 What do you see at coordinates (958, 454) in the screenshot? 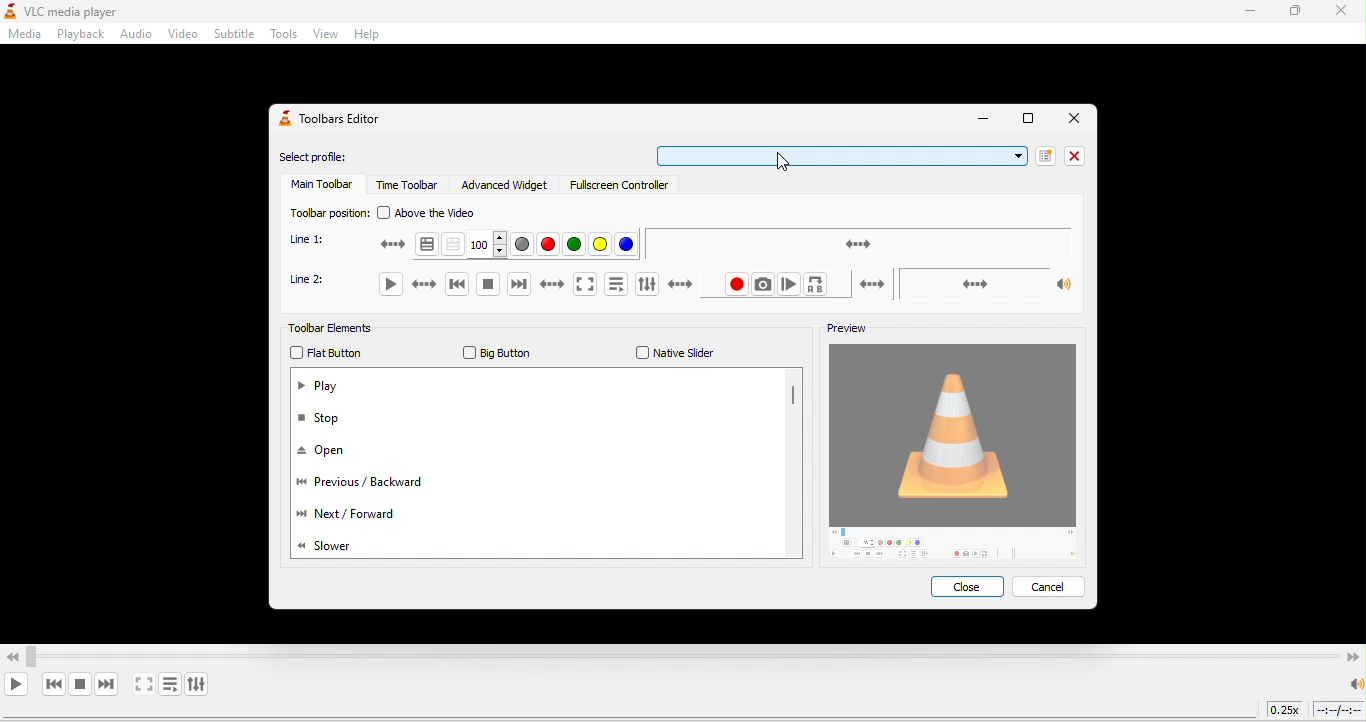
I see `image` at bounding box center [958, 454].